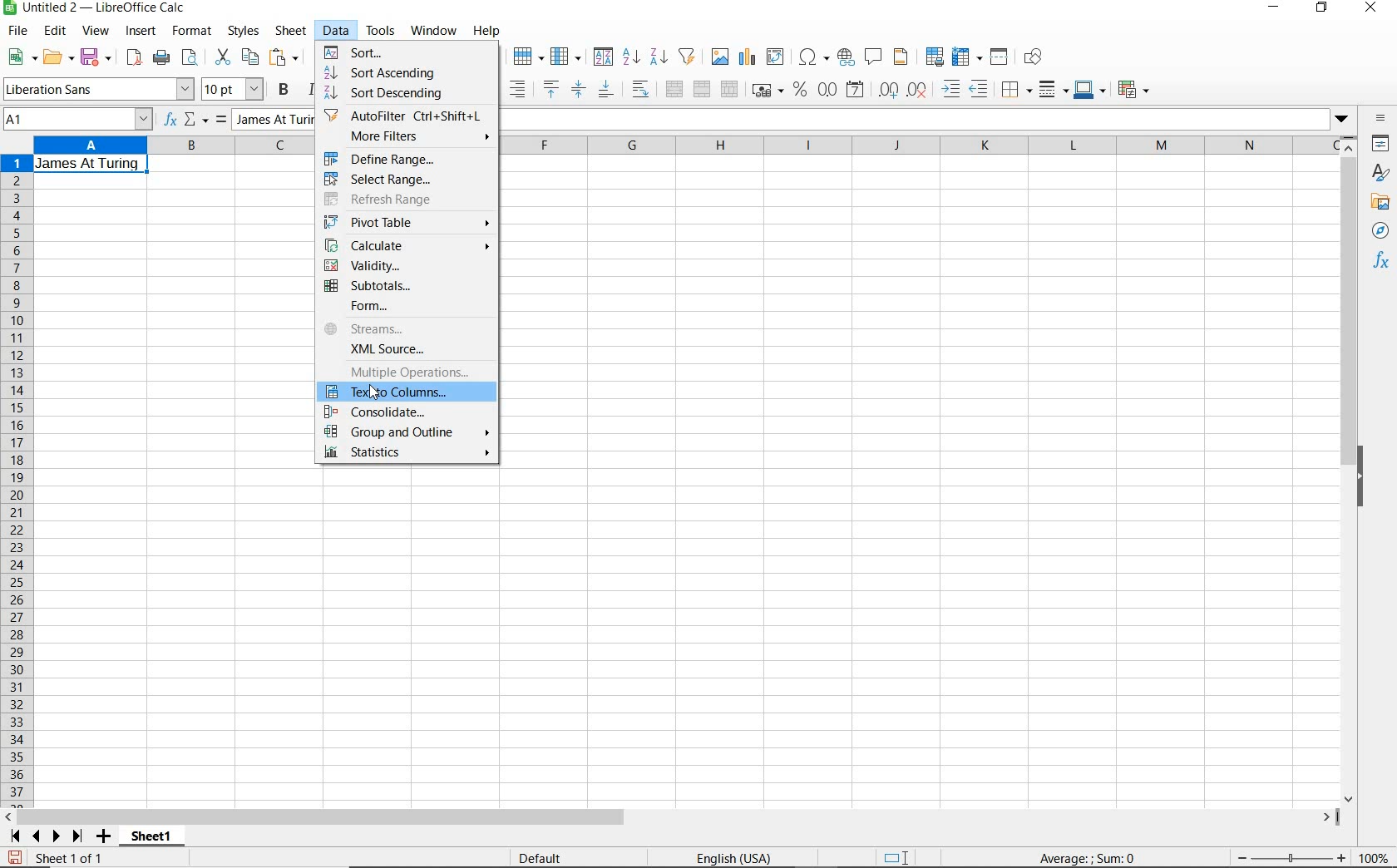 The image size is (1397, 868). What do you see at coordinates (57, 32) in the screenshot?
I see `edit` at bounding box center [57, 32].